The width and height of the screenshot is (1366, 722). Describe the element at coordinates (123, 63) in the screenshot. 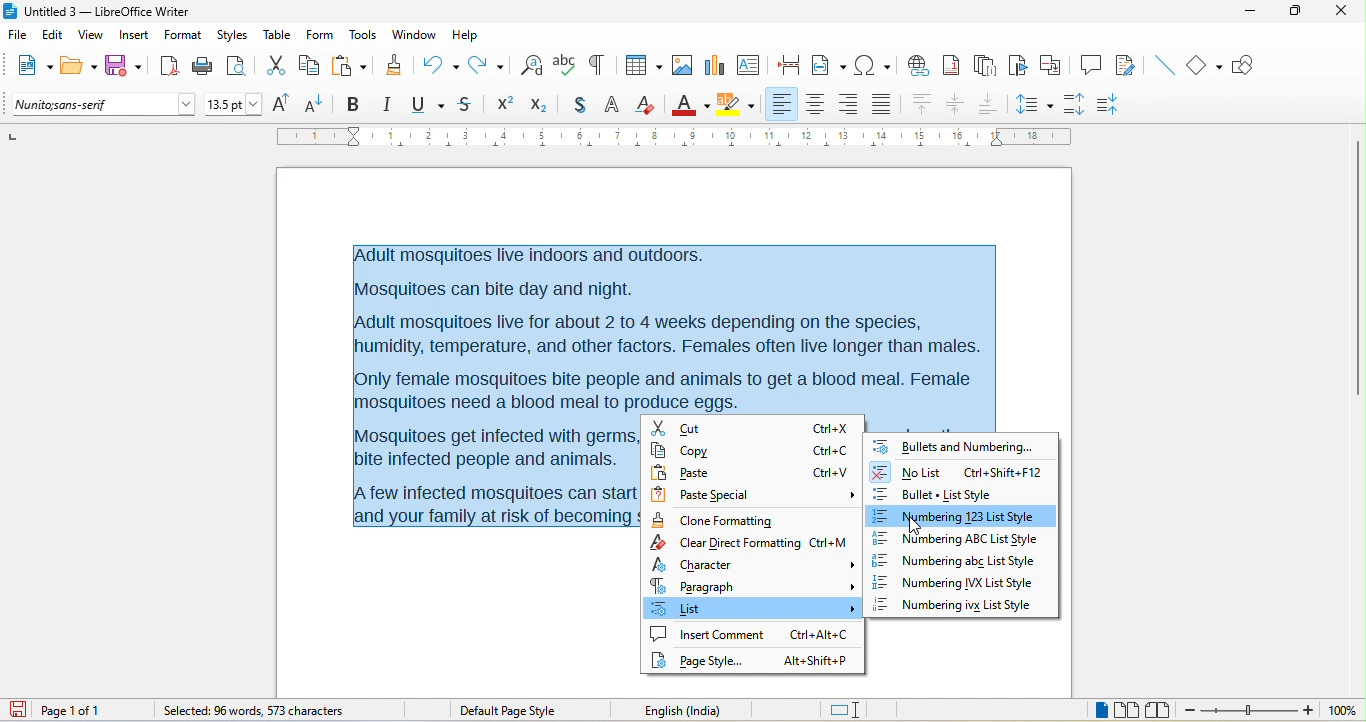

I see `save` at that location.